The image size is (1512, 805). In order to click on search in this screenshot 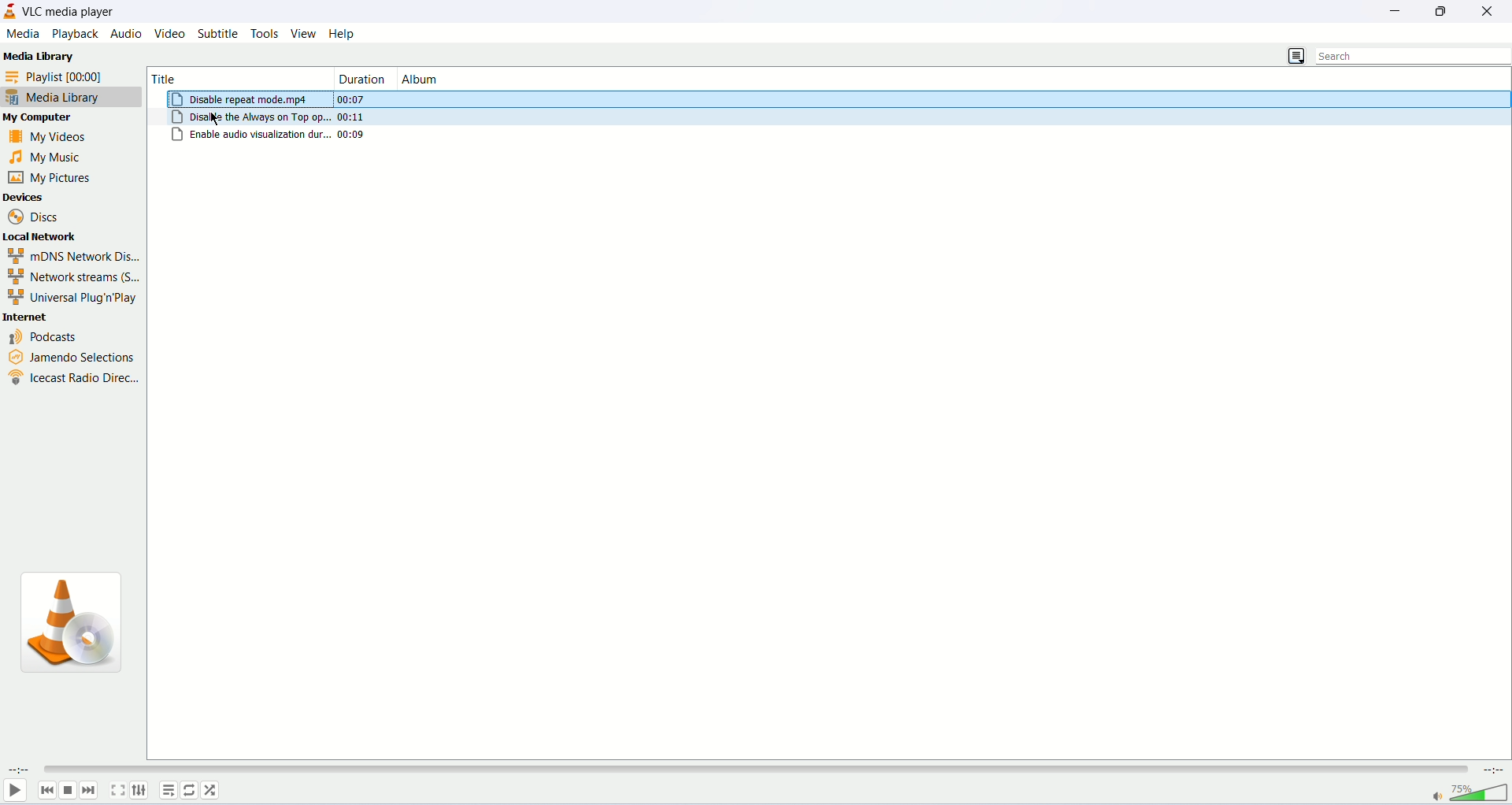, I will do `click(1414, 56)`.